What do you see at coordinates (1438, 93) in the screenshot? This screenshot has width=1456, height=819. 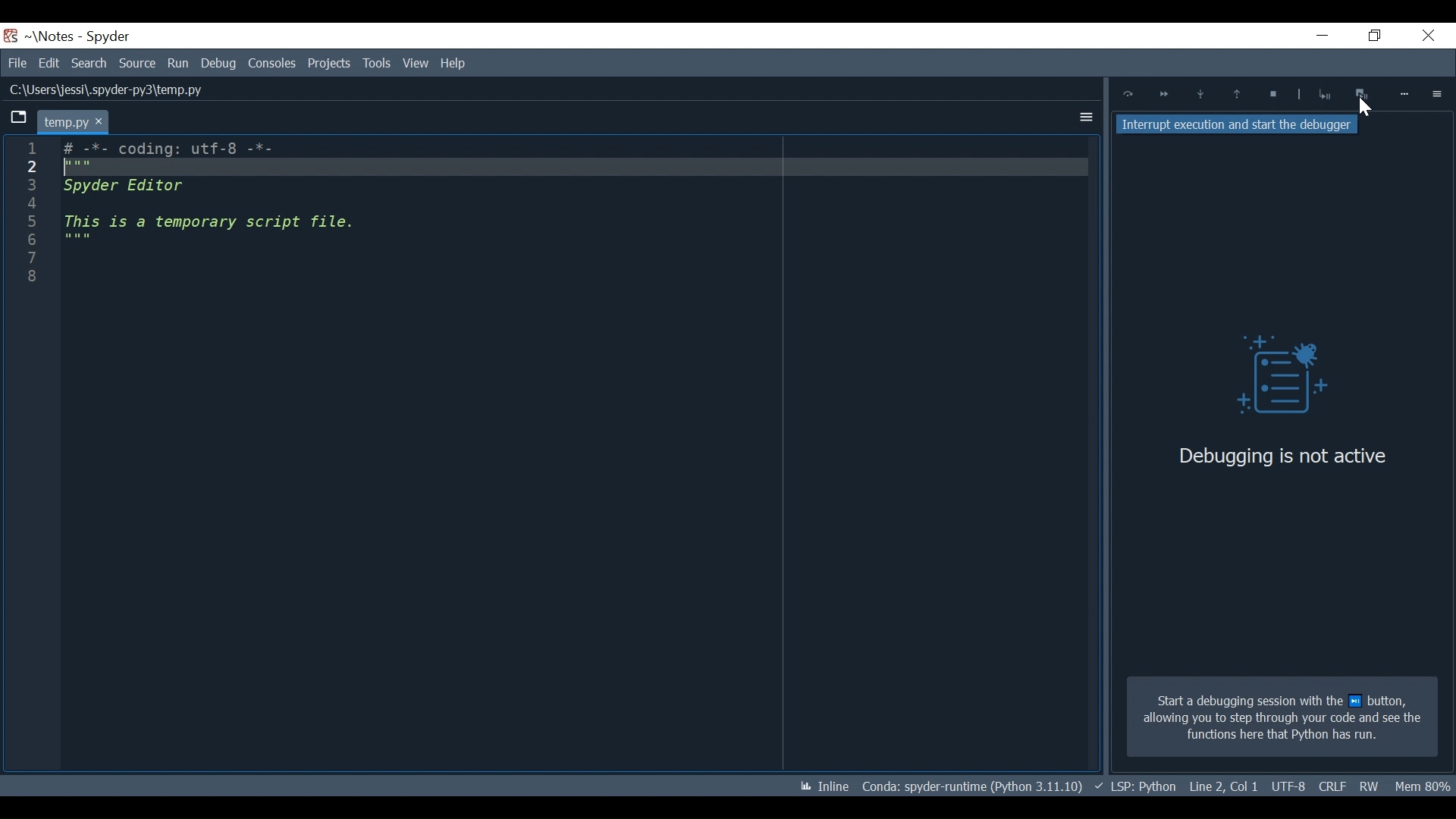 I see `Options` at bounding box center [1438, 93].